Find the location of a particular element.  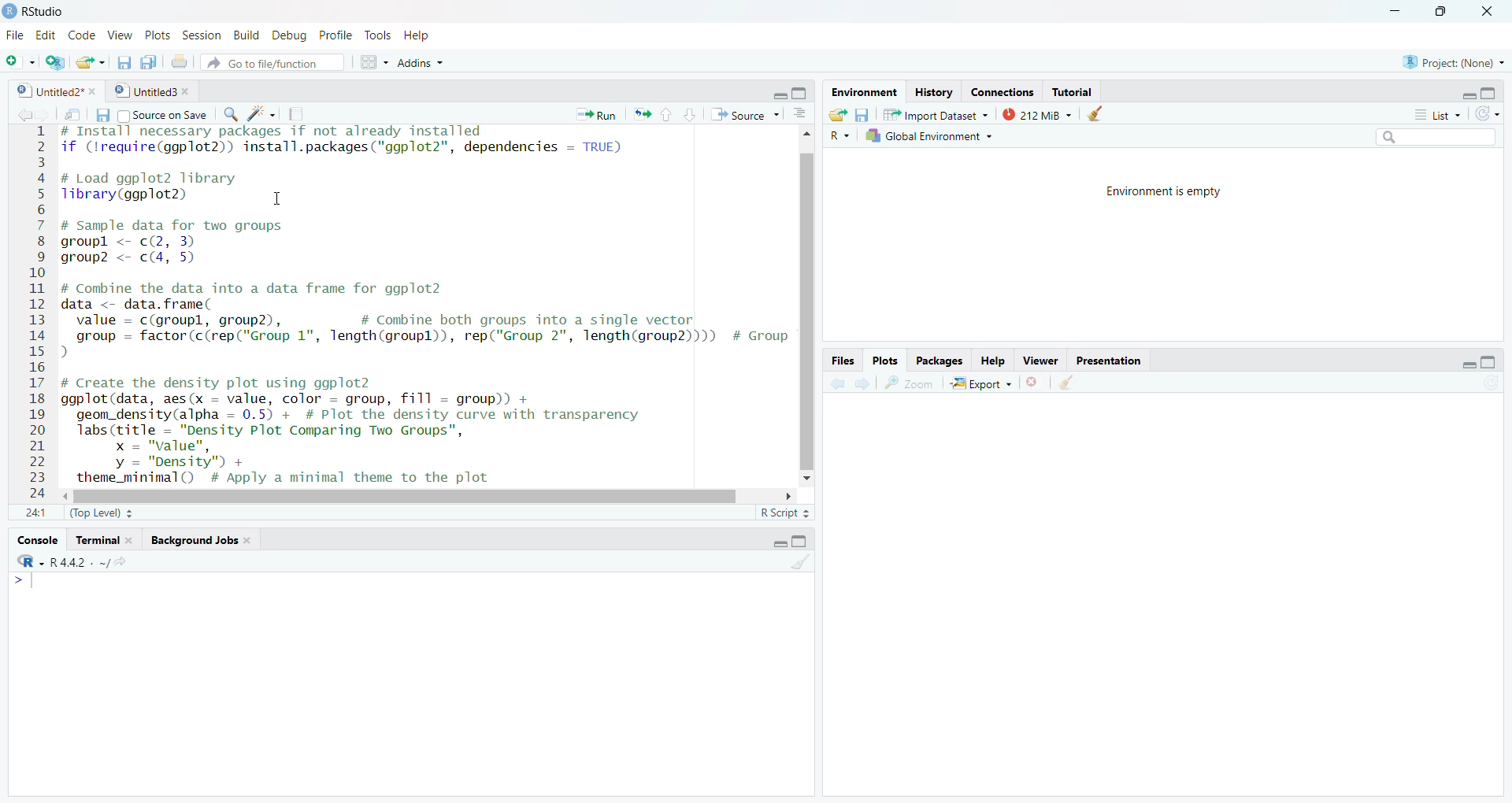

addins is located at coordinates (428, 65).